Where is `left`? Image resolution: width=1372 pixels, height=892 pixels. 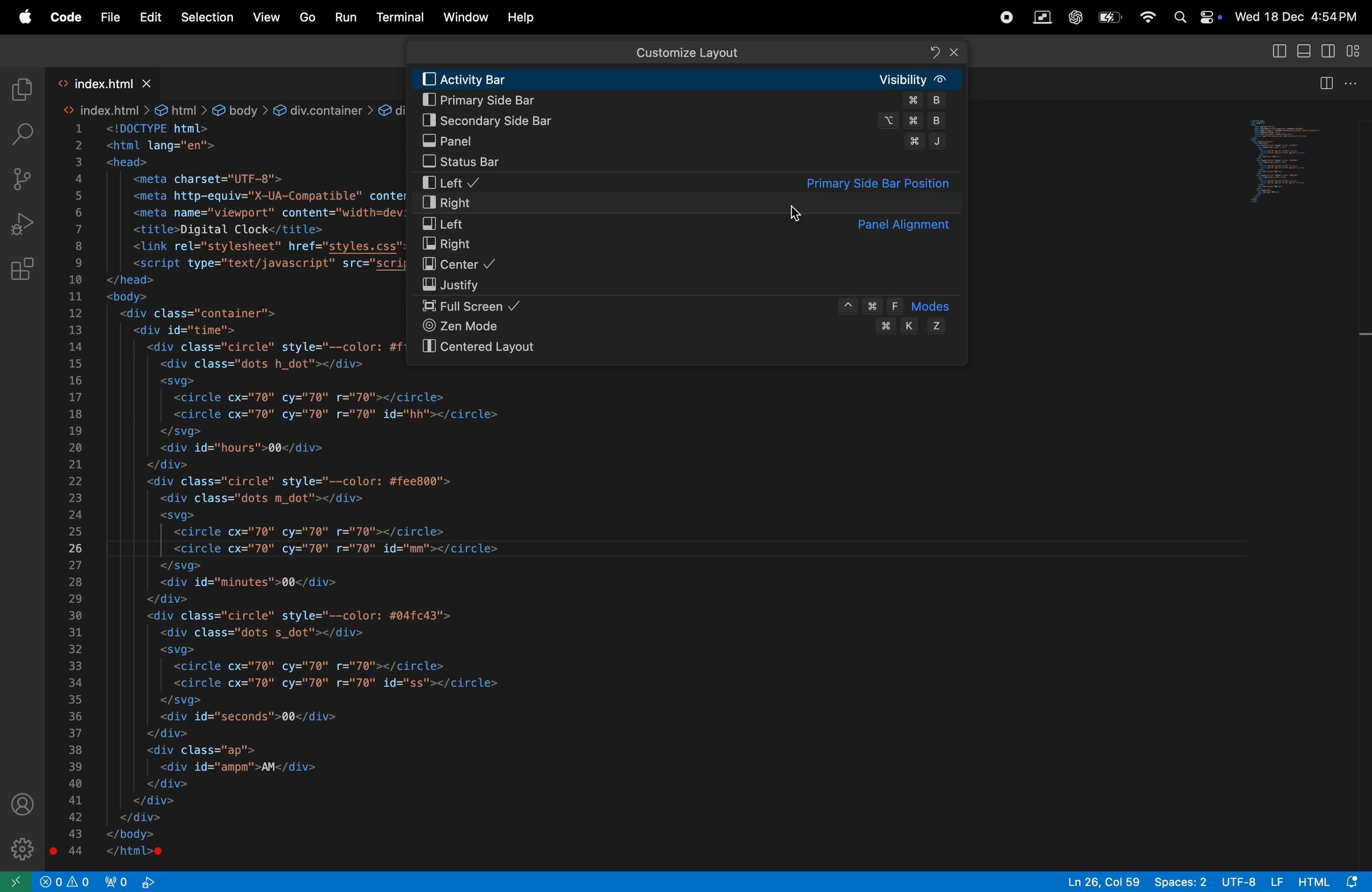 left is located at coordinates (689, 182).